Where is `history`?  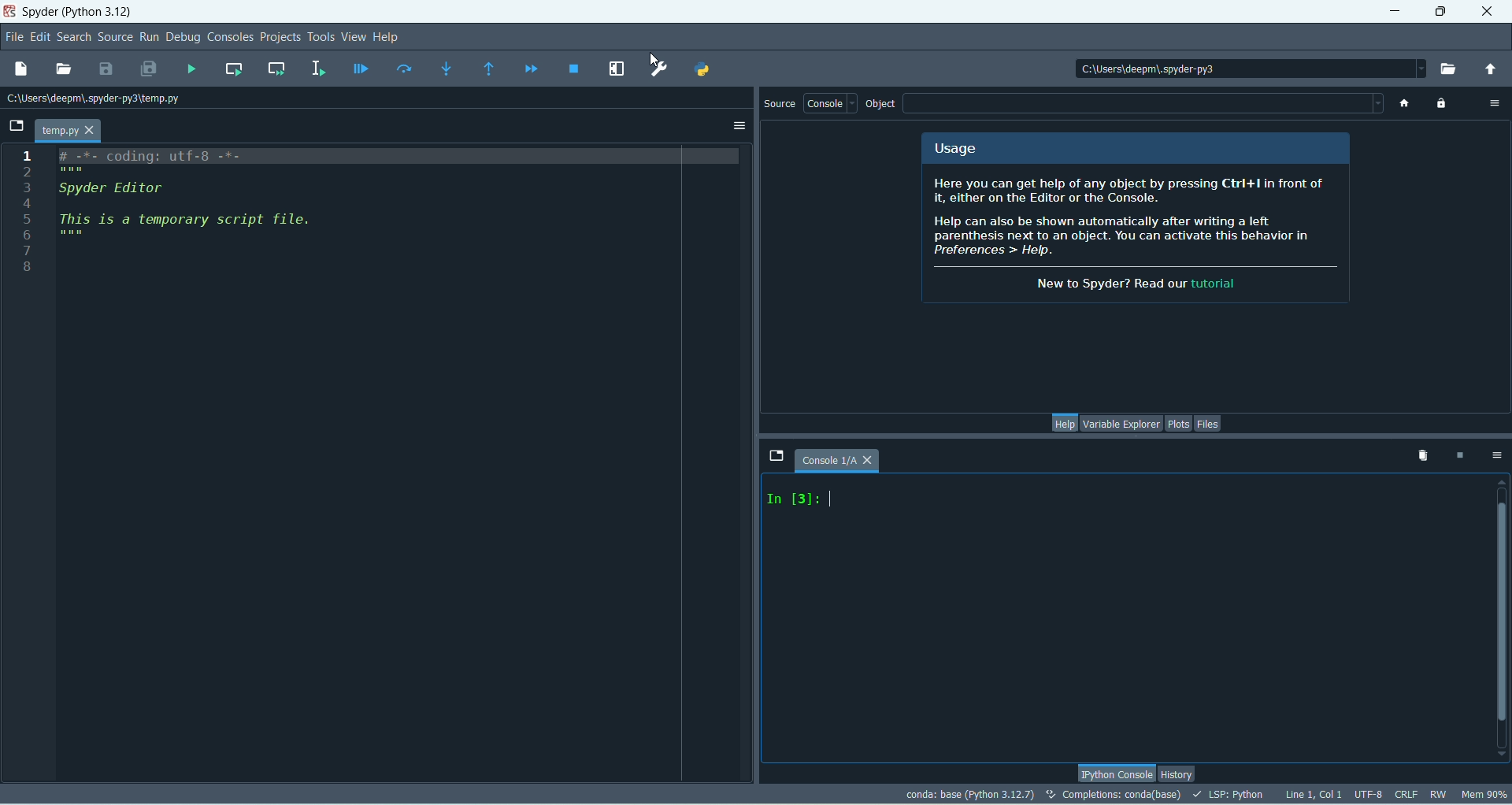
history is located at coordinates (1177, 772).